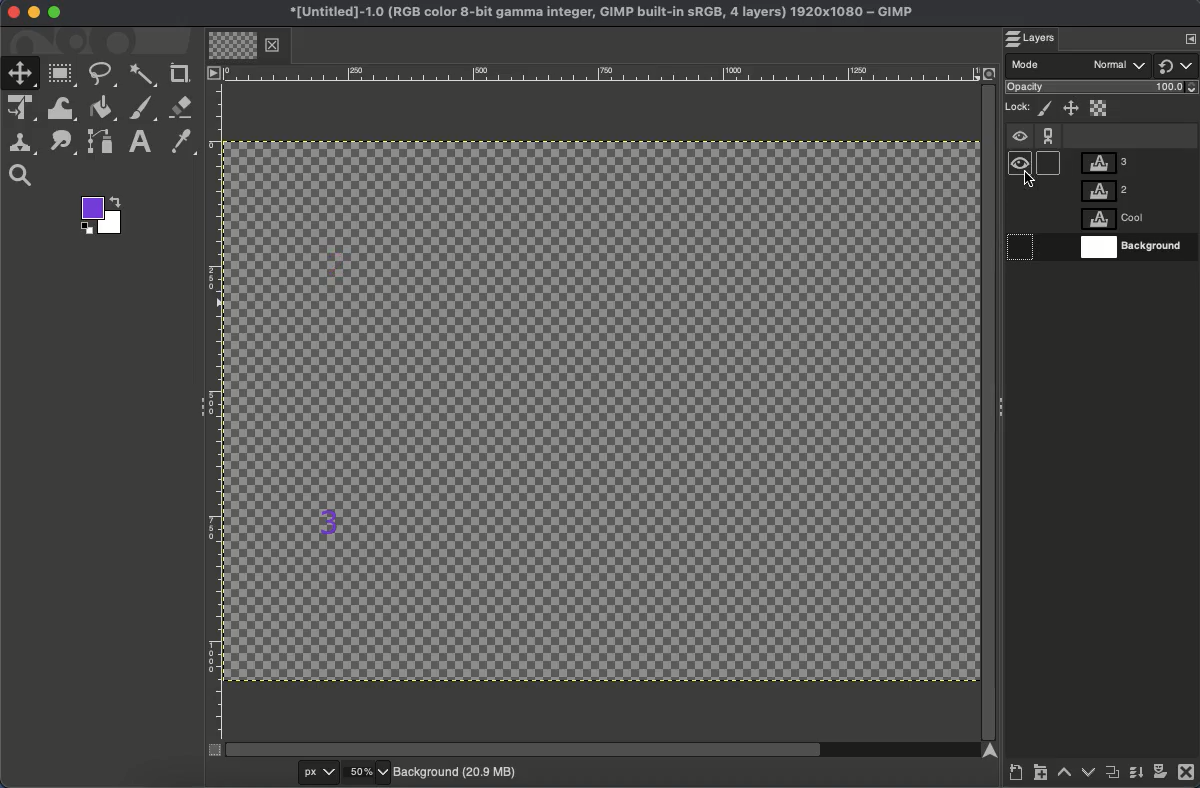 Image resolution: width=1200 pixels, height=788 pixels. What do you see at coordinates (597, 14) in the screenshot?
I see `Name` at bounding box center [597, 14].